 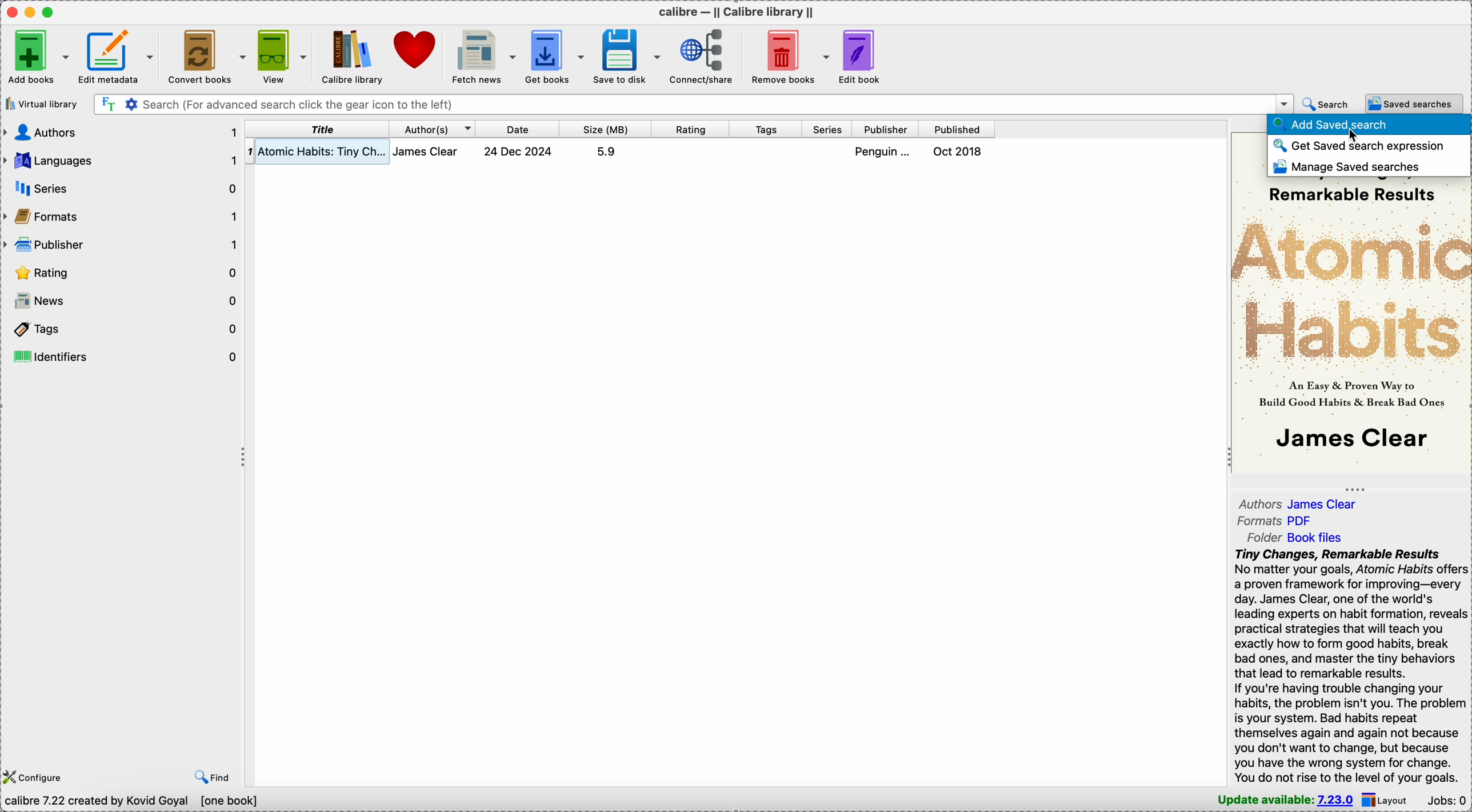 What do you see at coordinates (485, 55) in the screenshot?
I see `fetch news` at bounding box center [485, 55].